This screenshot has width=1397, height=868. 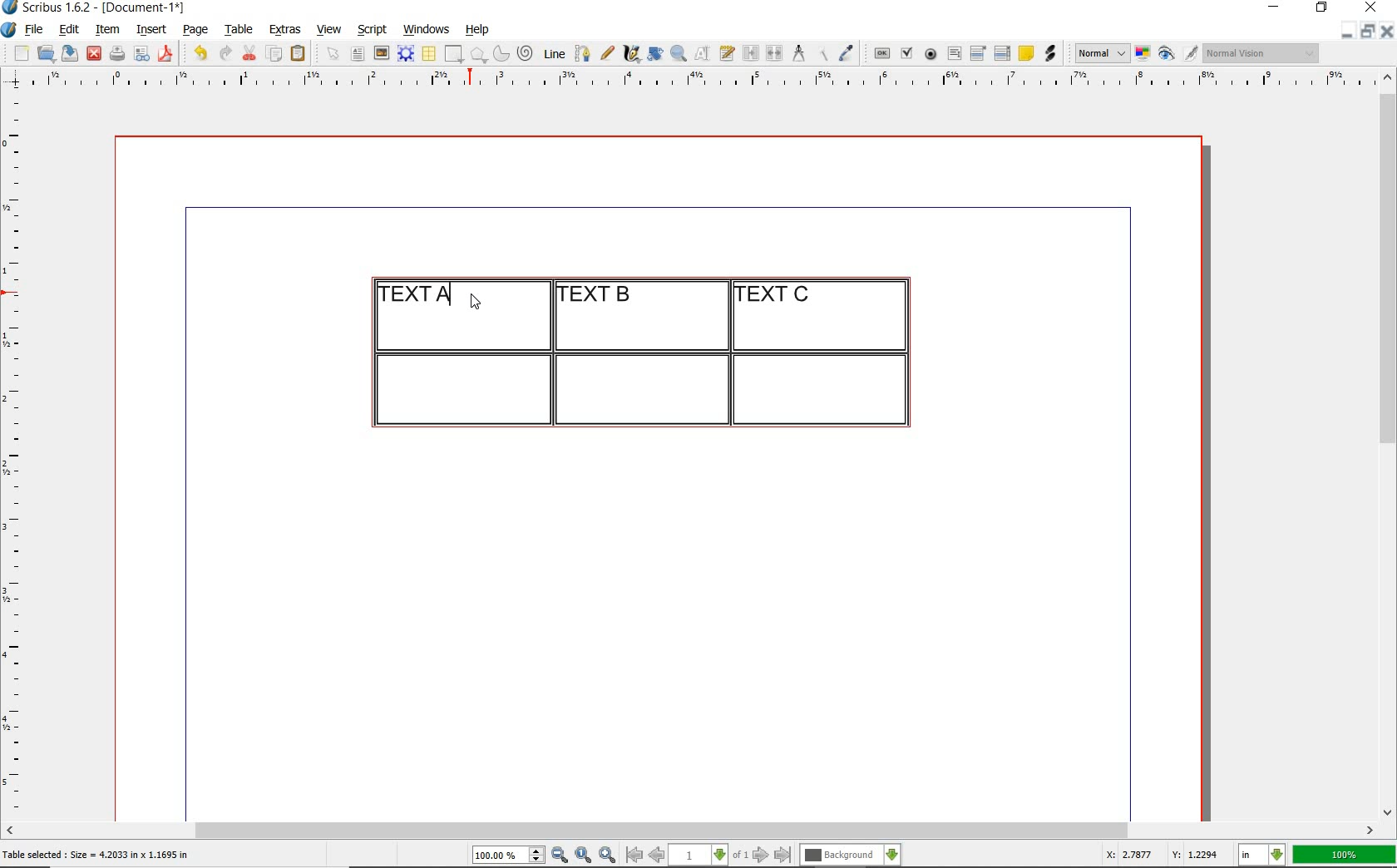 I want to click on line, so click(x=552, y=53).